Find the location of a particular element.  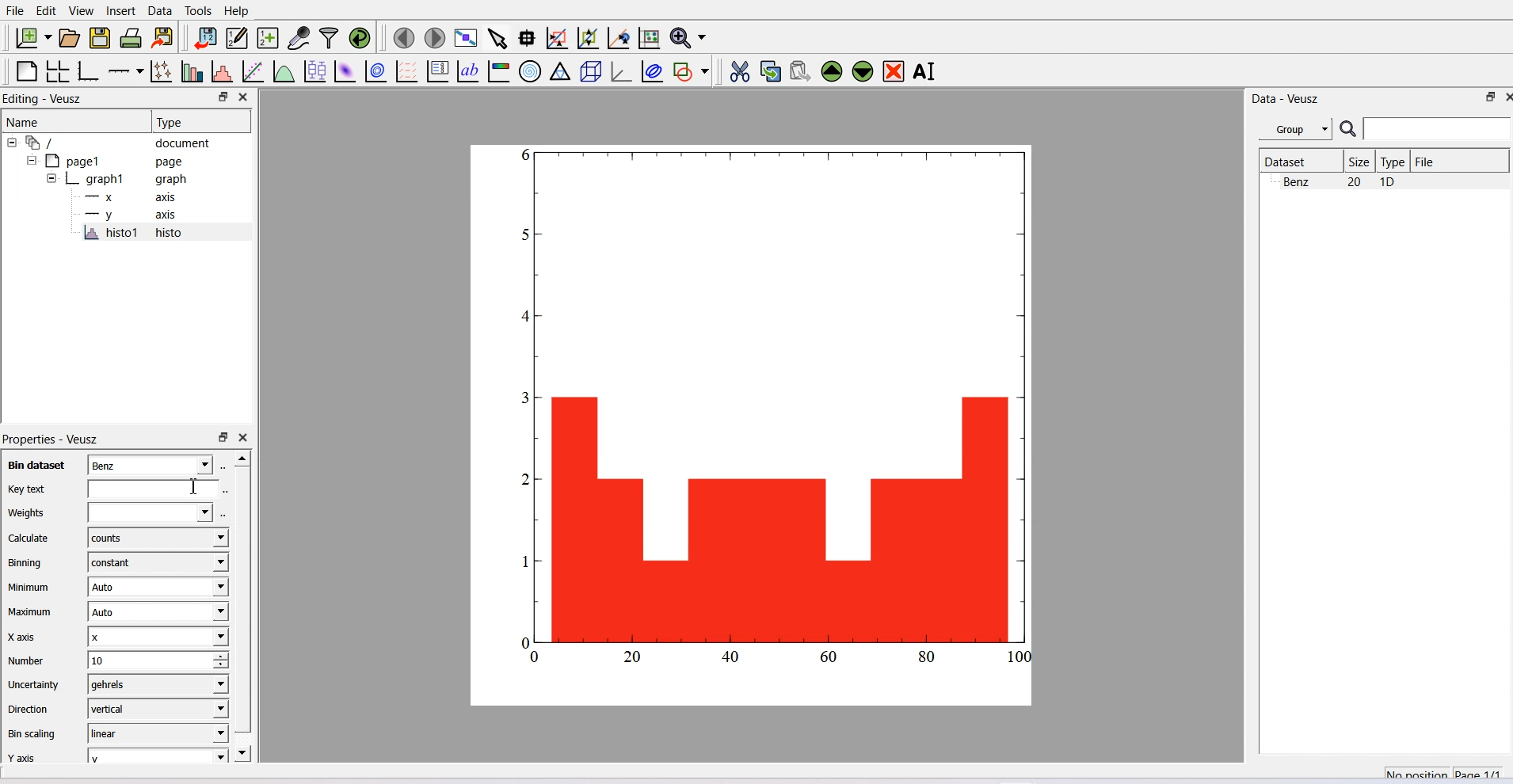

Ternary Graph is located at coordinates (560, 72).